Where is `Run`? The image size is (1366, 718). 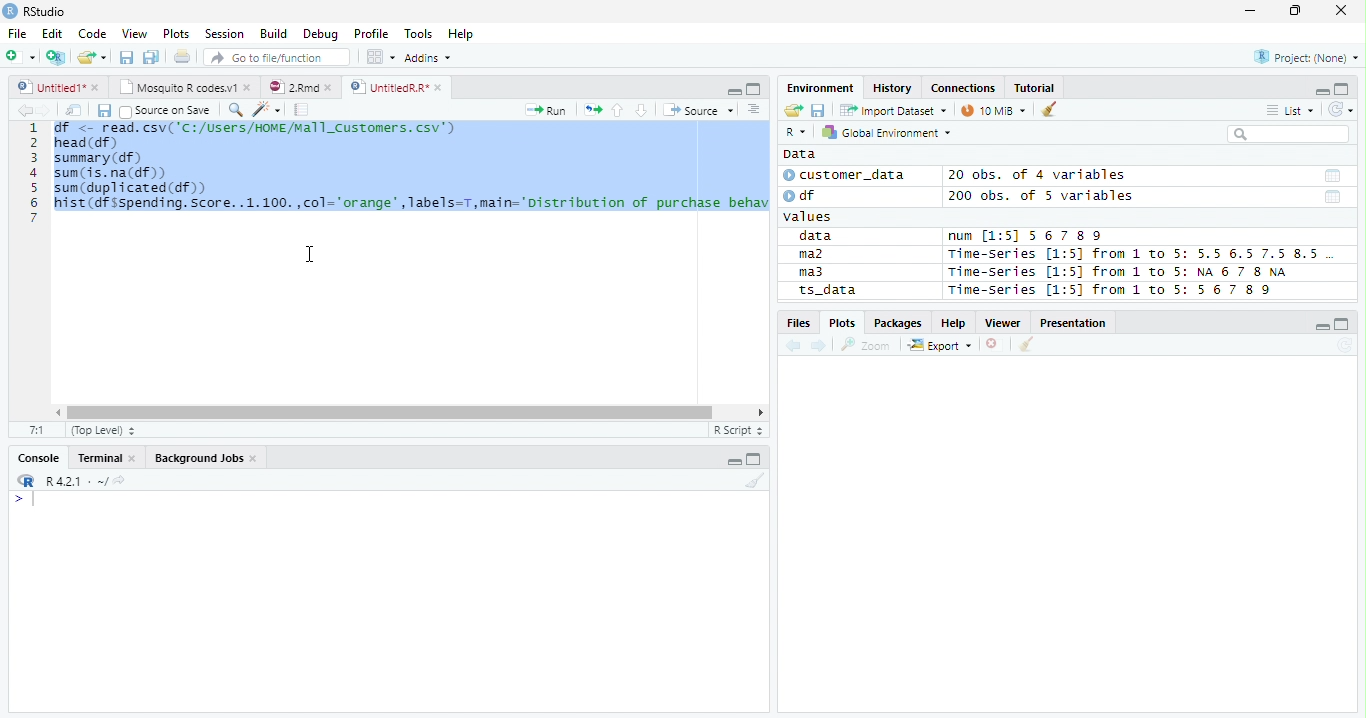 Run is located at coordinates (548, 111).